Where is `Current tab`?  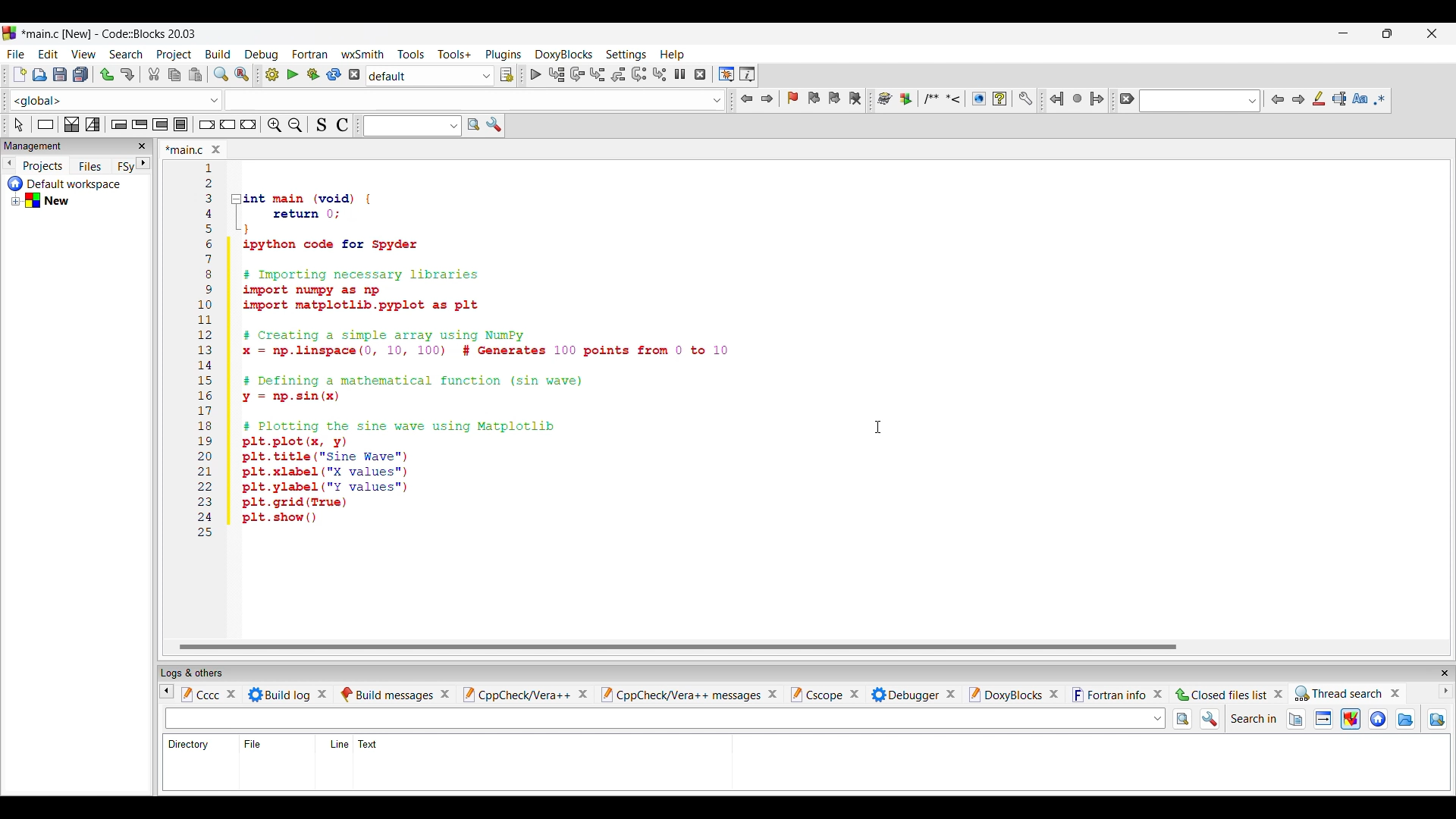
Current tab is located at coordinates (27, 146).